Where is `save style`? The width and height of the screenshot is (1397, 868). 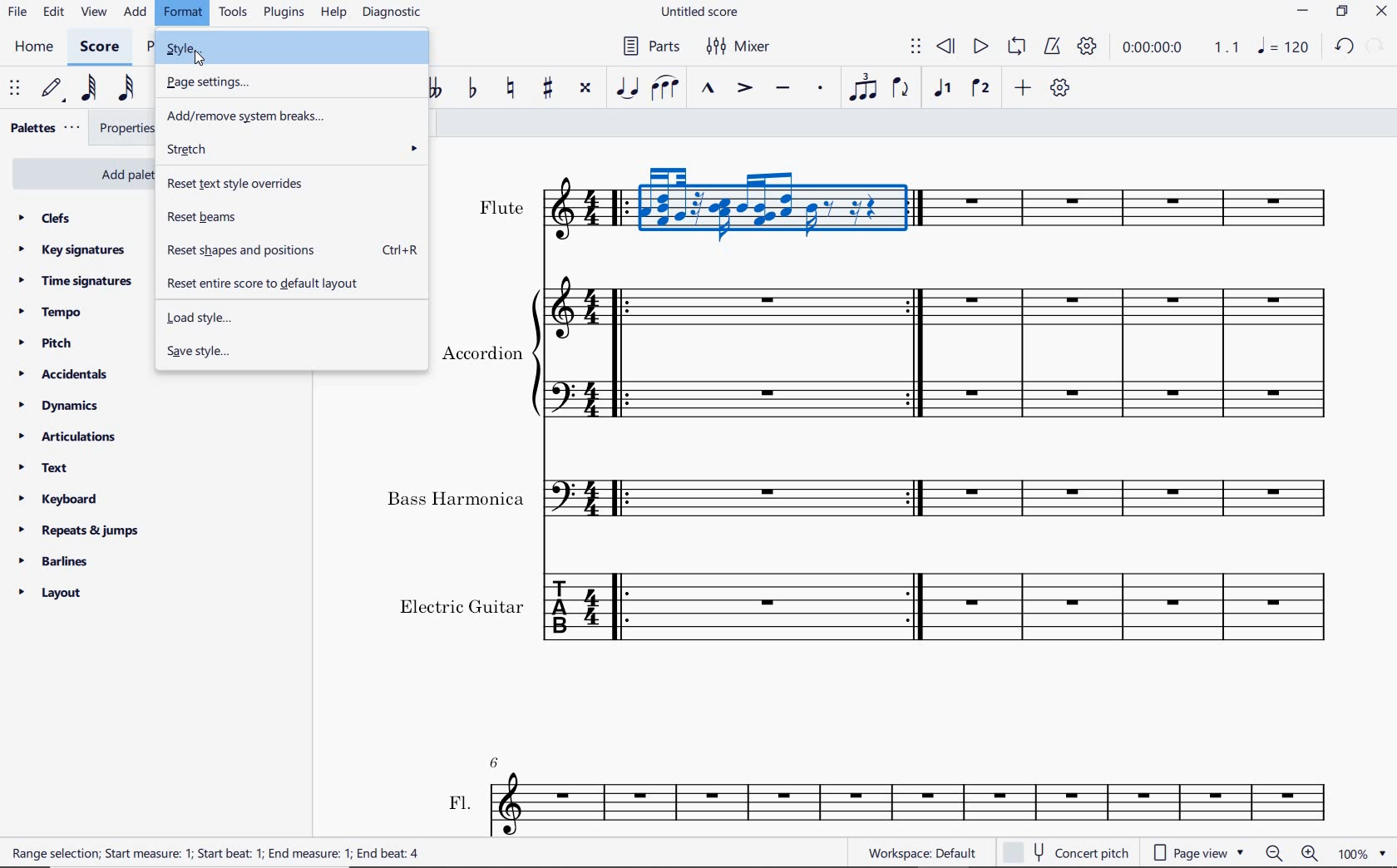 save style is located at coordinates (290, 353).